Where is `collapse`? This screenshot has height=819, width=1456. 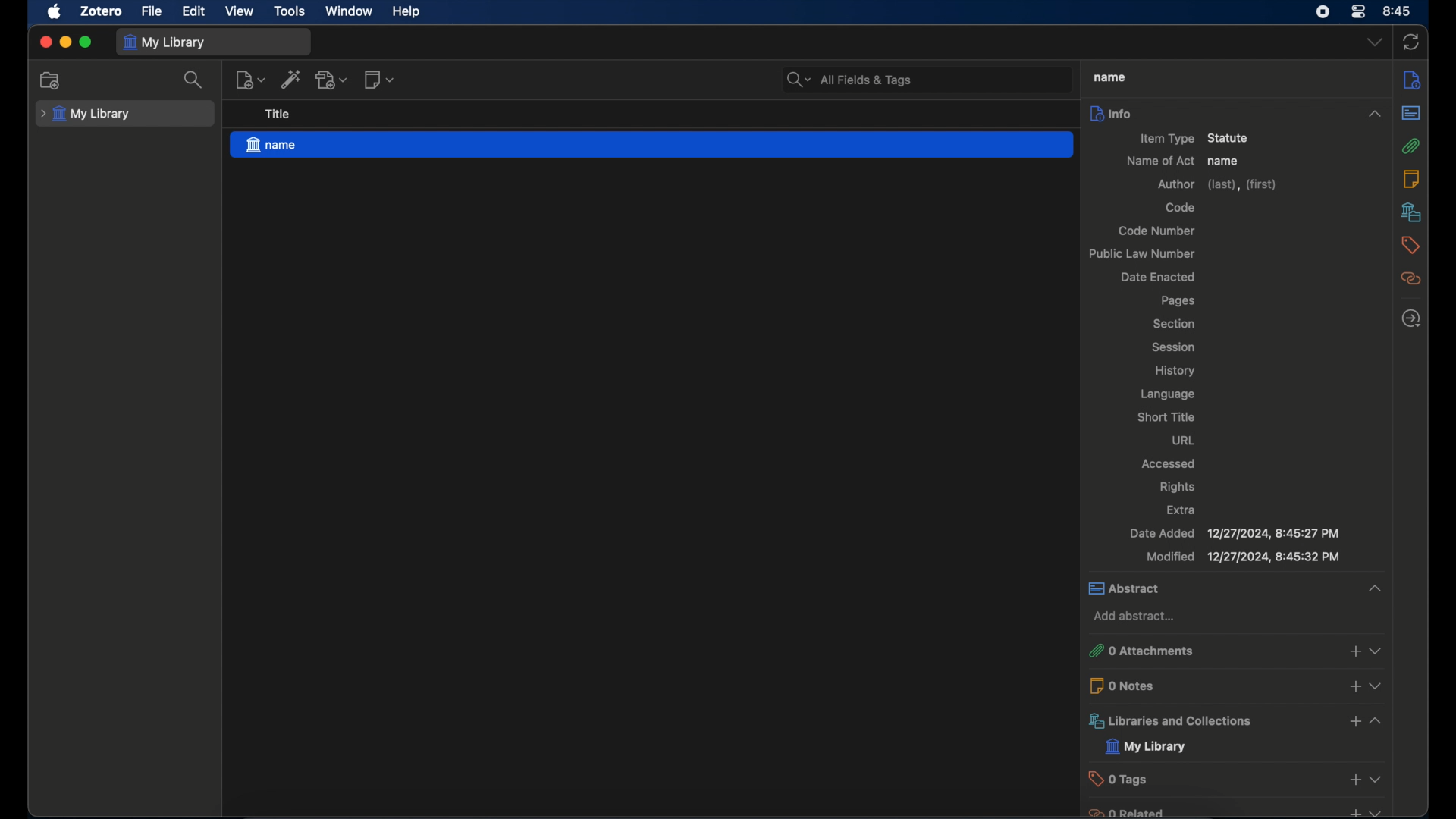
collapse is located at coordinates (1379, 588).